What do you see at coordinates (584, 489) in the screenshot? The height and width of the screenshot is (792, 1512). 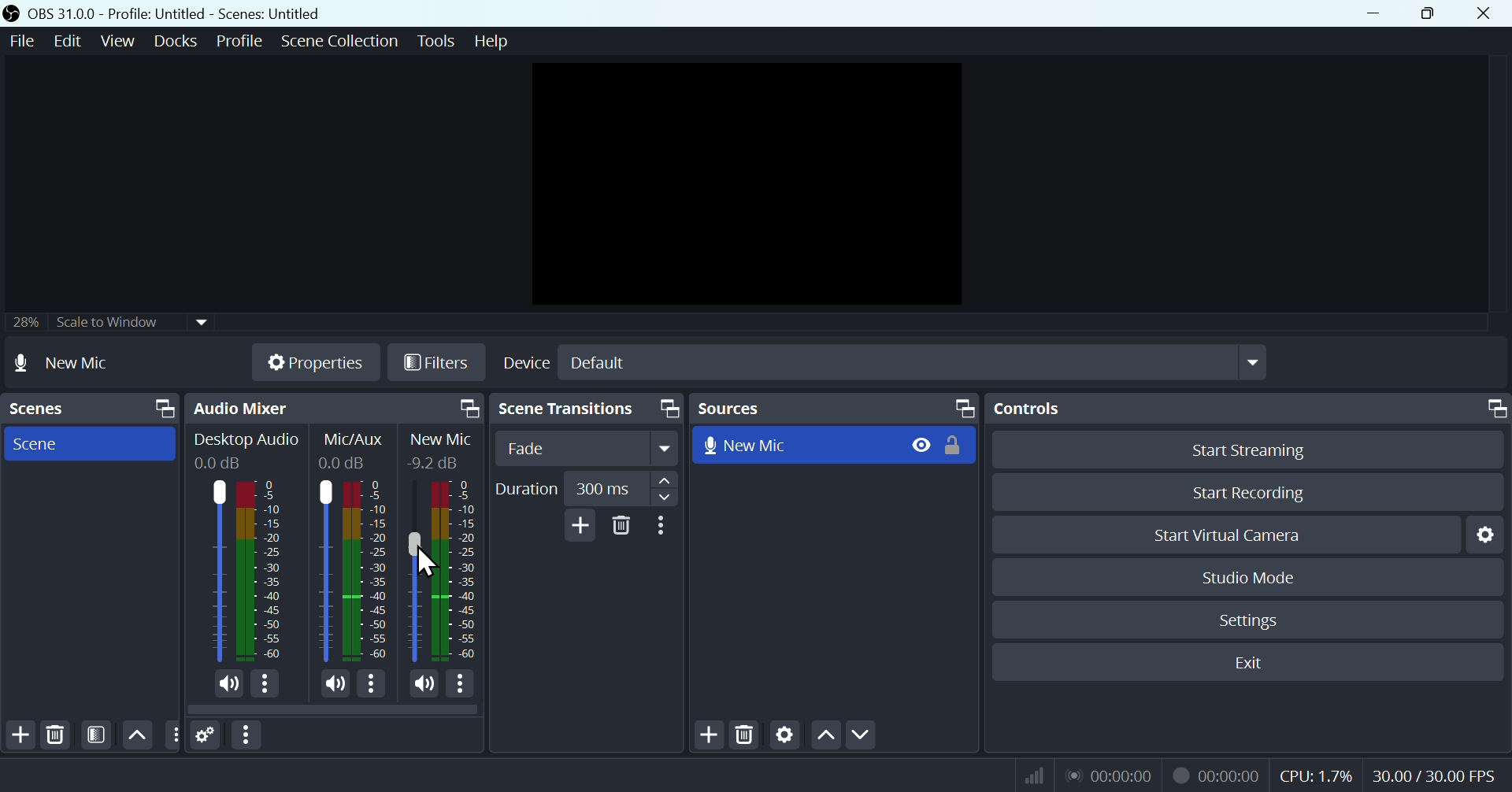 I see `Duration` at bounding box center [584, 489].